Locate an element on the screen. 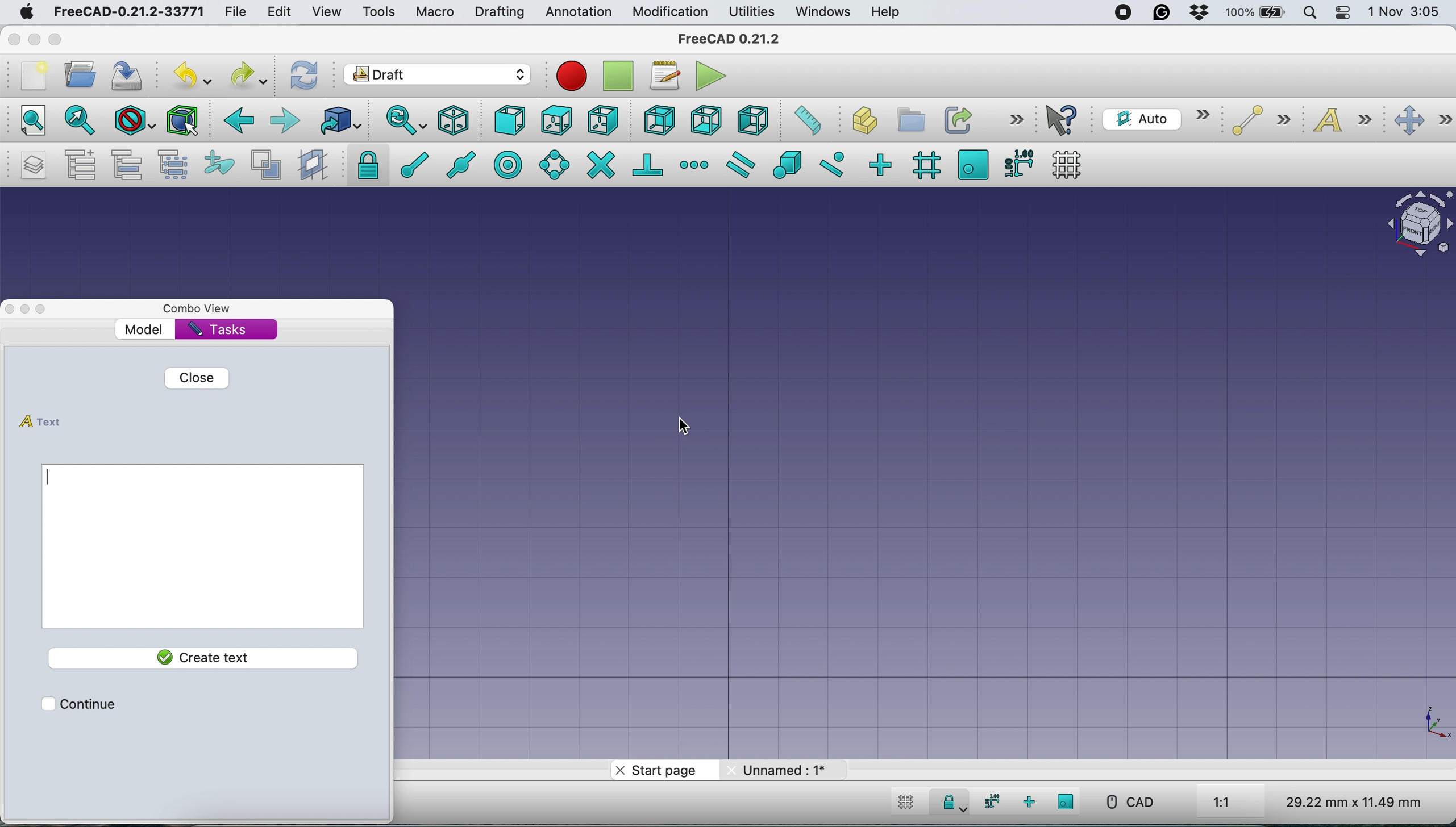  left is located at coordinates (749, 119).